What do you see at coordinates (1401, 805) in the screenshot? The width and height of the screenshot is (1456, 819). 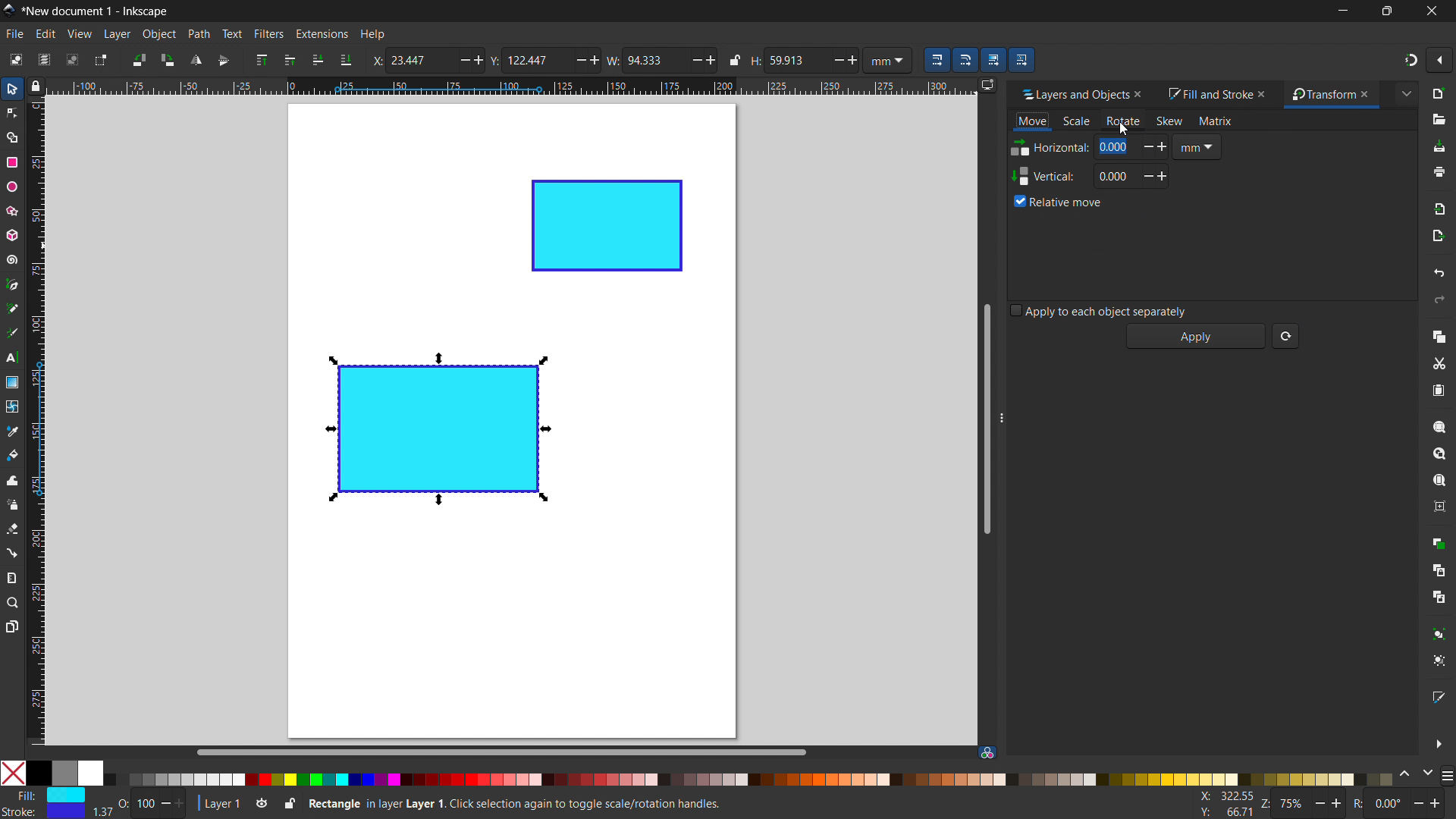 I see `R: 0.00` at bounding box center [1401, 805].